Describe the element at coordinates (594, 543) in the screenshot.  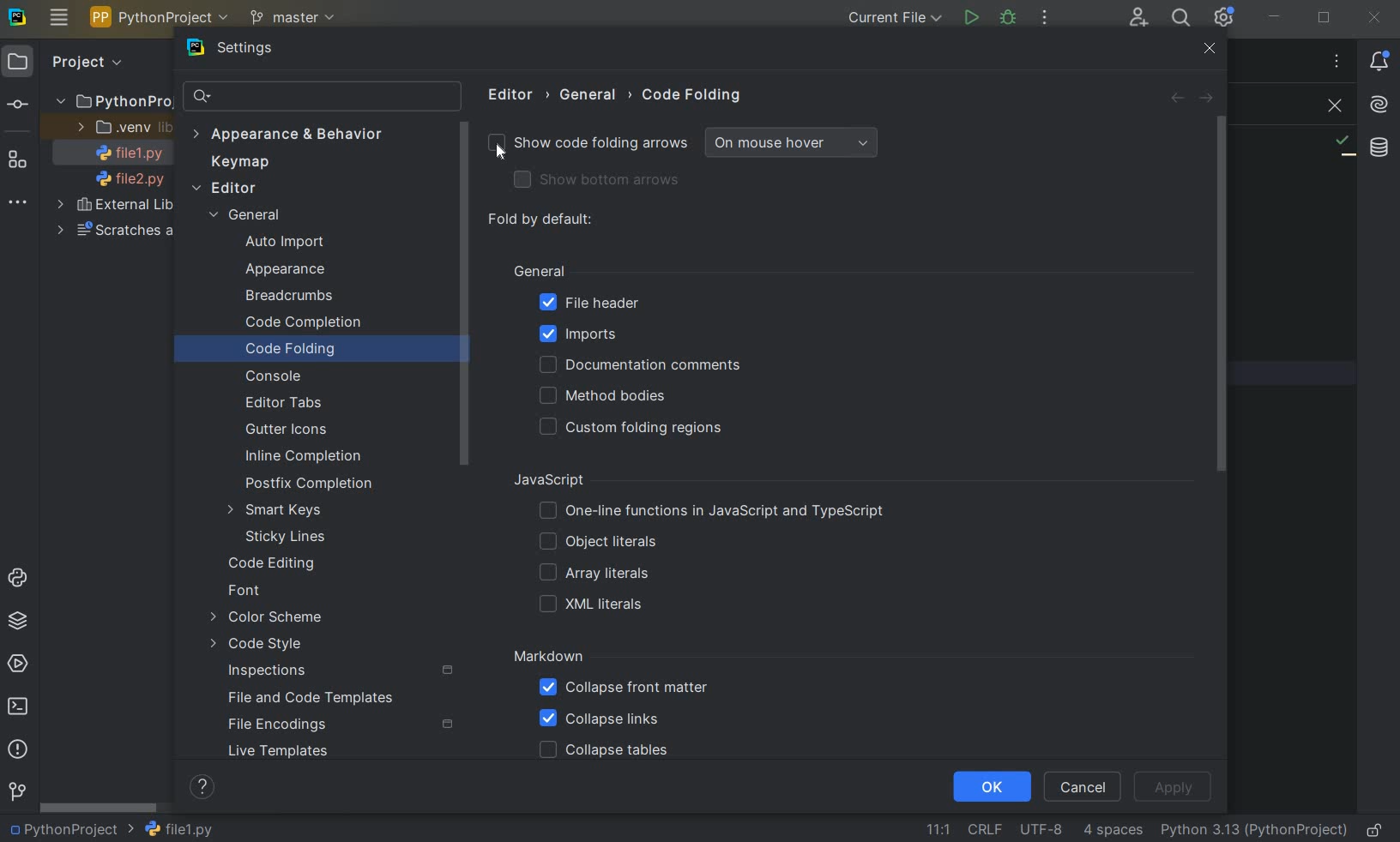
I see `OBJECT LITERALS` at that location.